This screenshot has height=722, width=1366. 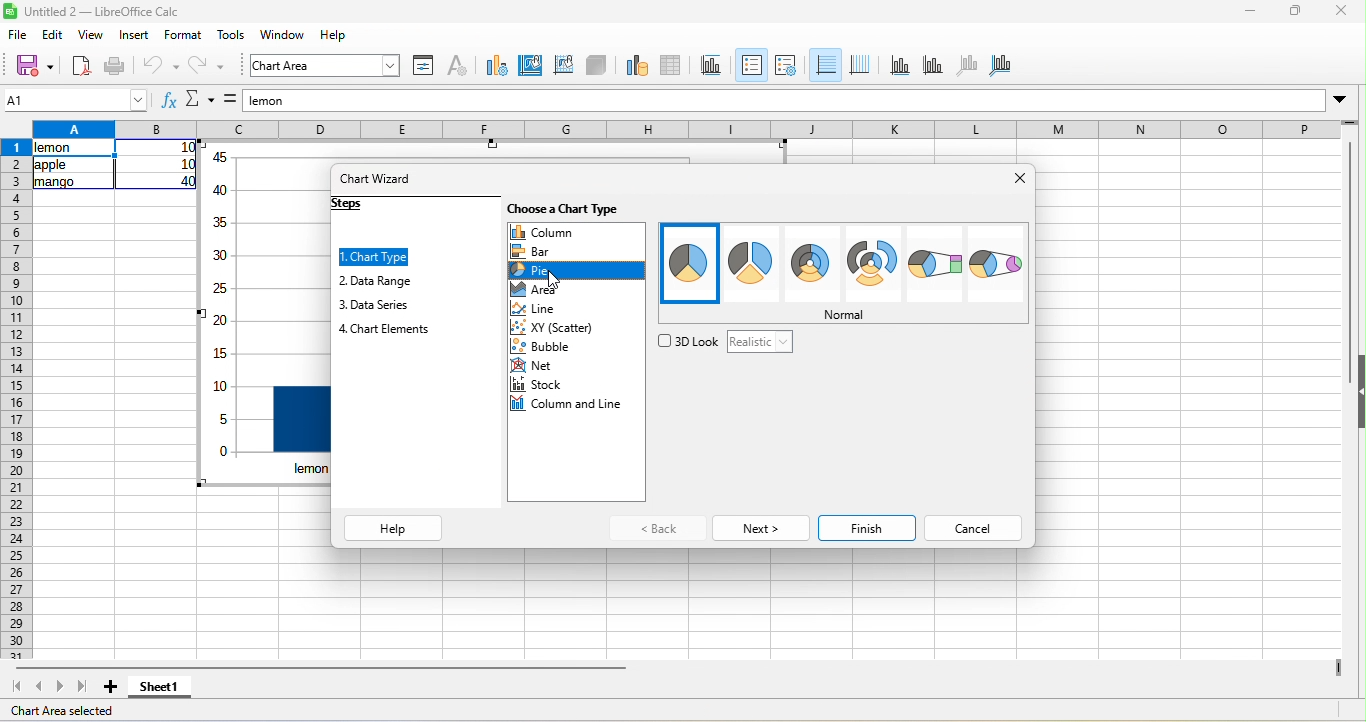 What do you see at coordinates (283, 36) in the screenshot?
I see `windows` at bounding box center [283, 36].